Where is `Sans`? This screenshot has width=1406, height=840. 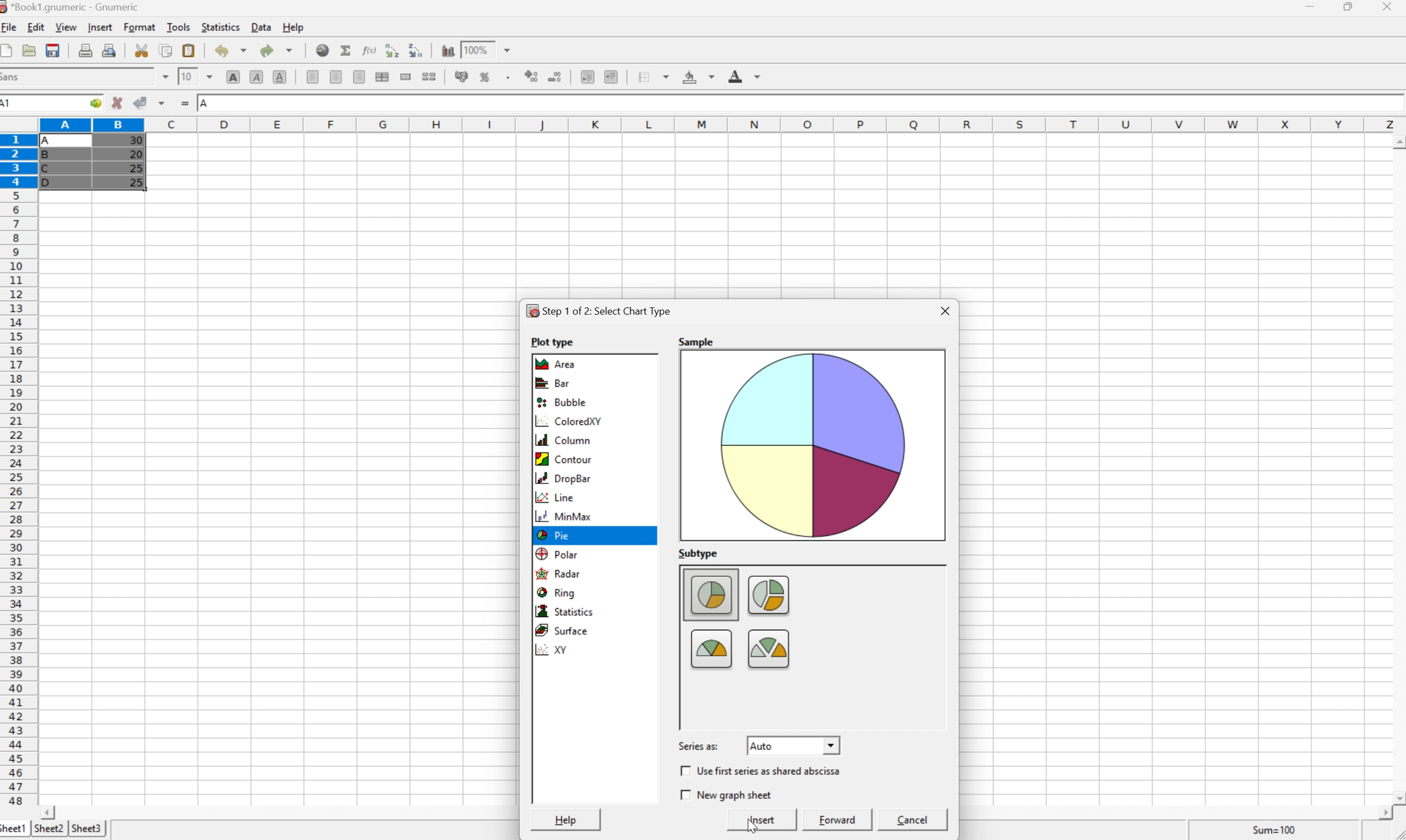 Sans is located at coordinates (12, 76).